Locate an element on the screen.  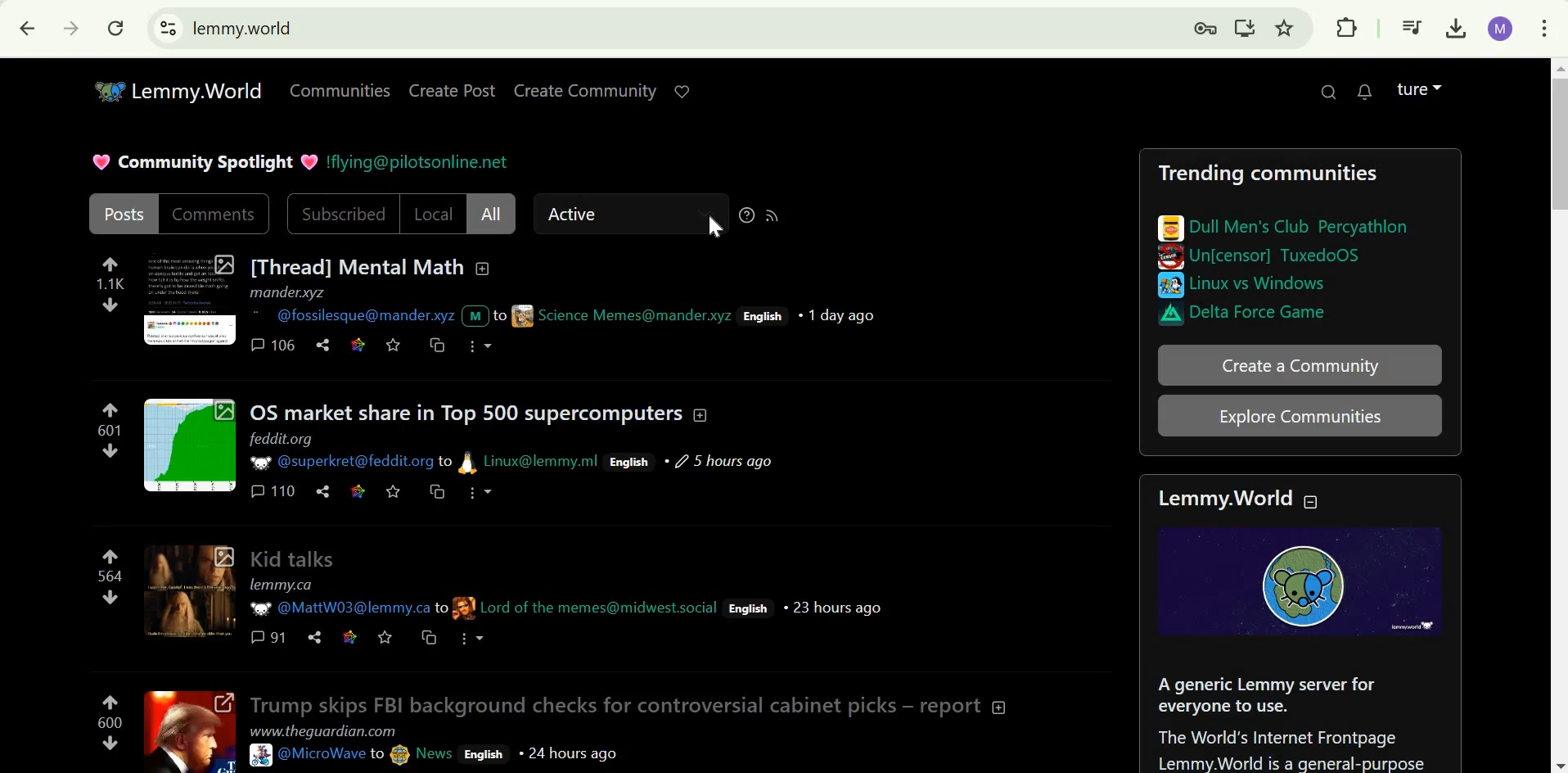
sorting help is located at coordinates (747, 215).